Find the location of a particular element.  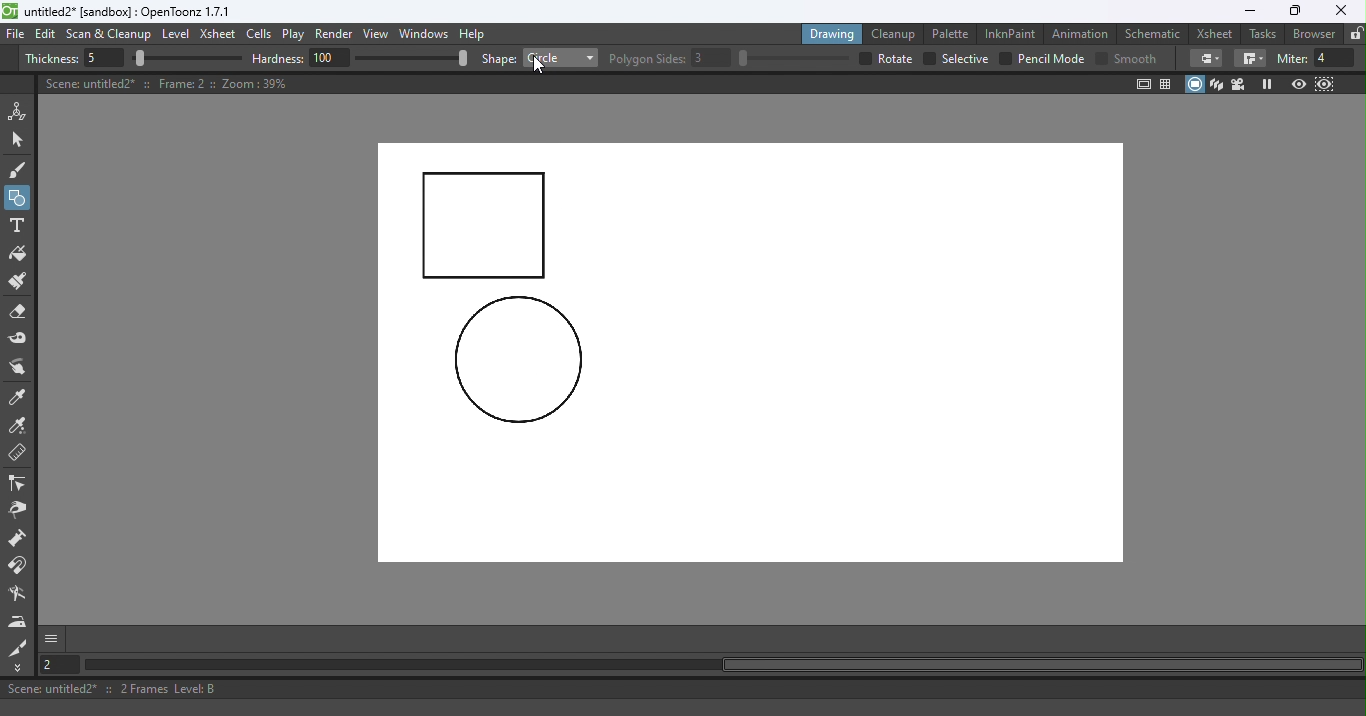

Pencil mode is located at coordinates (1050, 59).